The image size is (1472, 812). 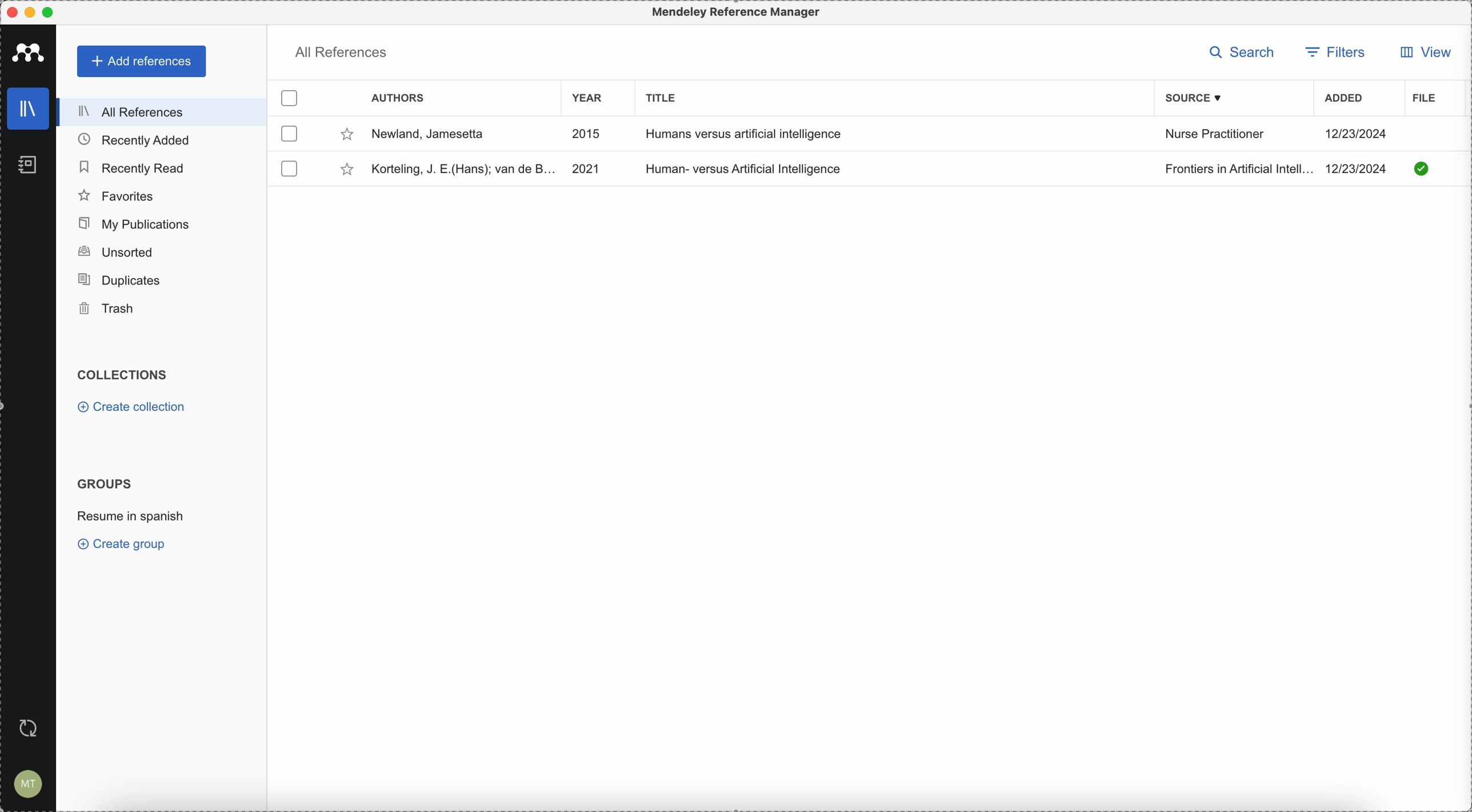 I want to click on year, so click(x=590, y=97).